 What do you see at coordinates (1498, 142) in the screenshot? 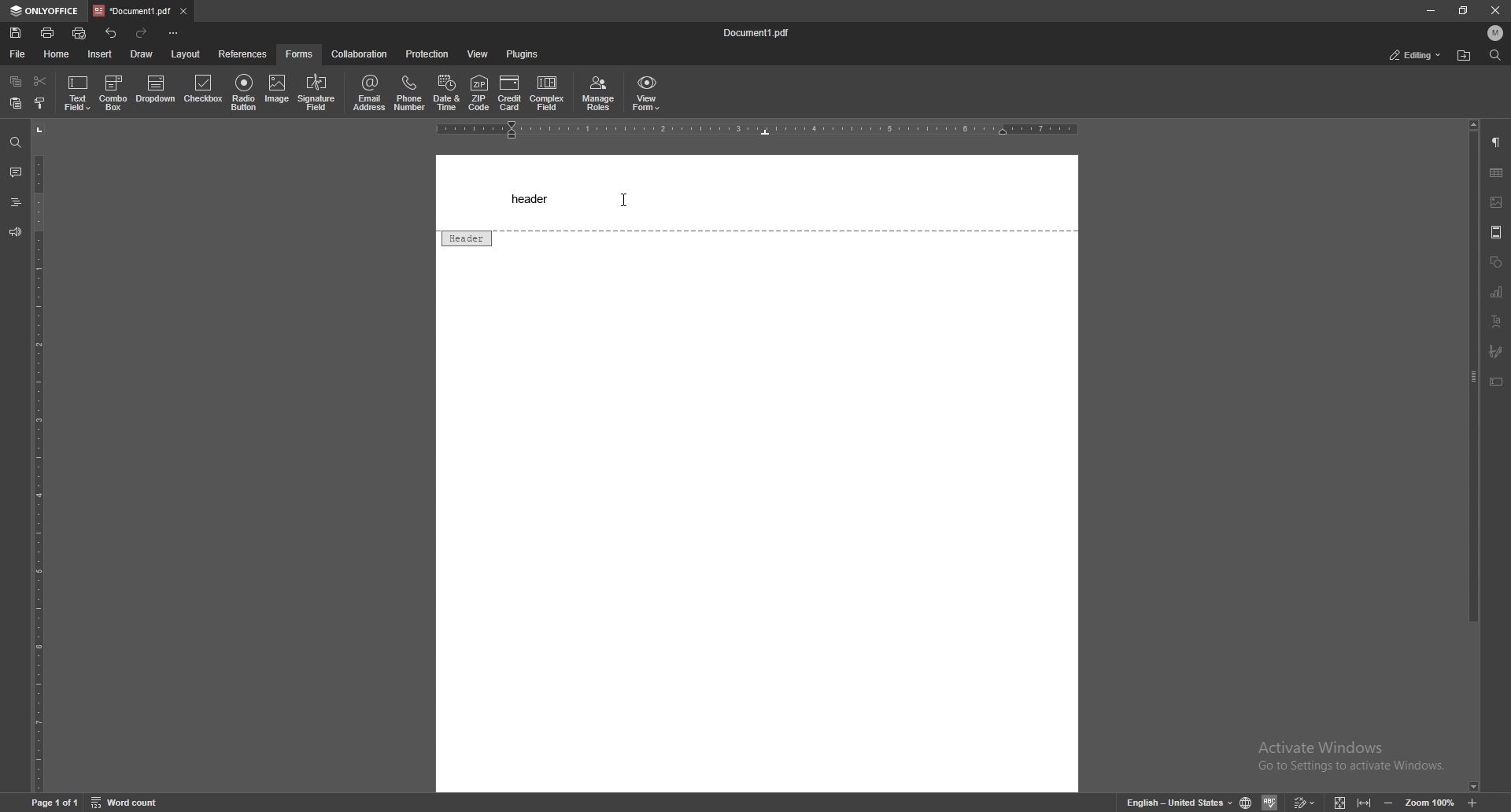
I see `paragraph` at bounding box center [1498, 142].